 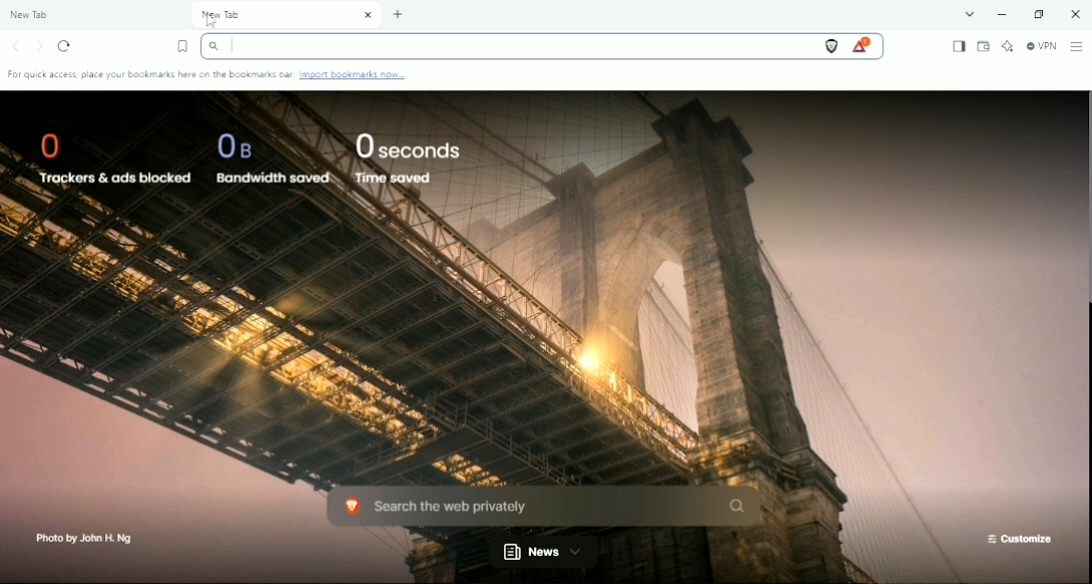 I want to click on New Tab, so click(x=284, y=15).